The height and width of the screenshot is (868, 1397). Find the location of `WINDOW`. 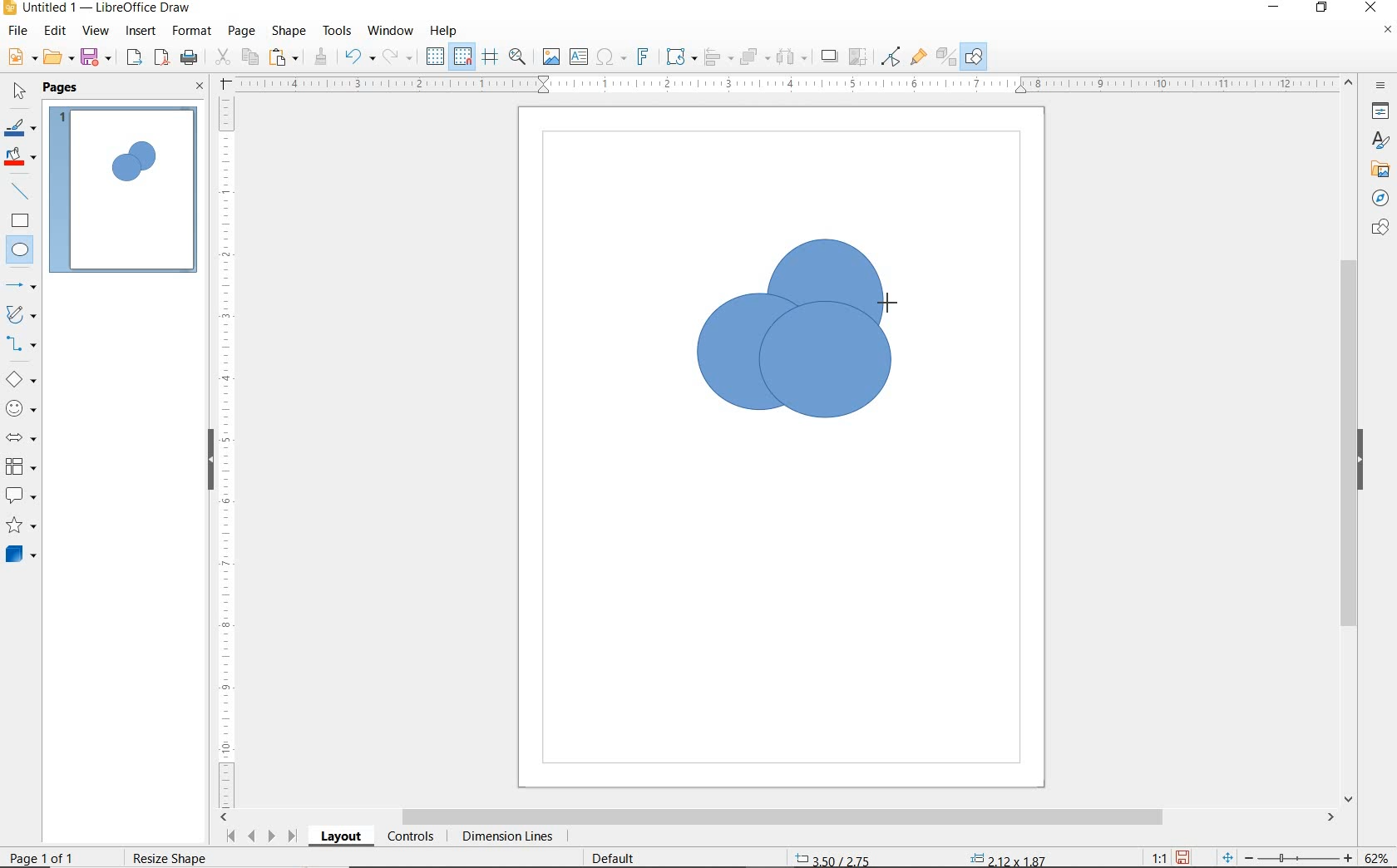

WINDOW is located at coordinates (390, 31).